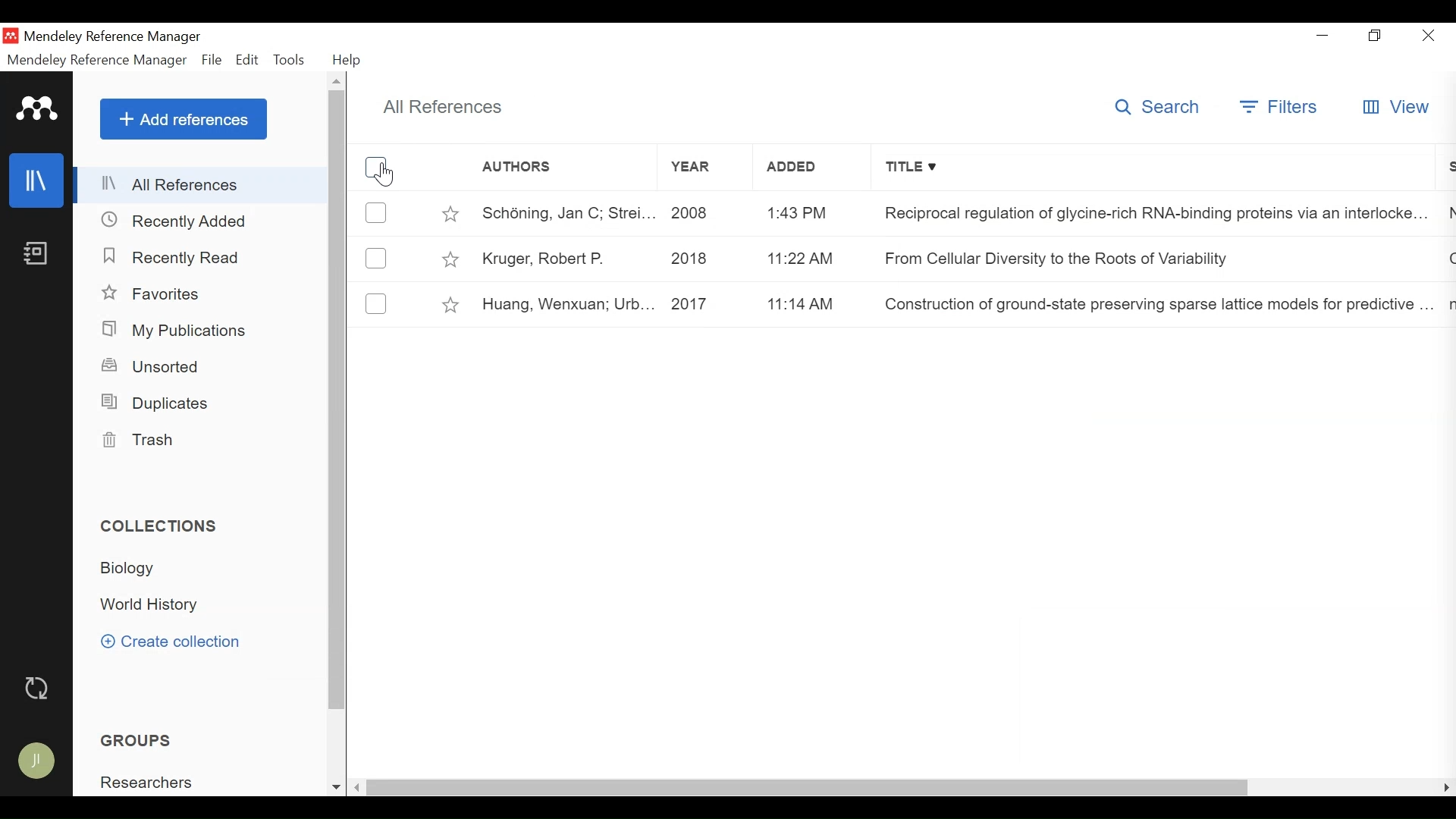 The height and width of the screenshot is (819, 1456). Describe the element at coordinates (375, 259) in the screenshot. I see `(un)select` at that location.